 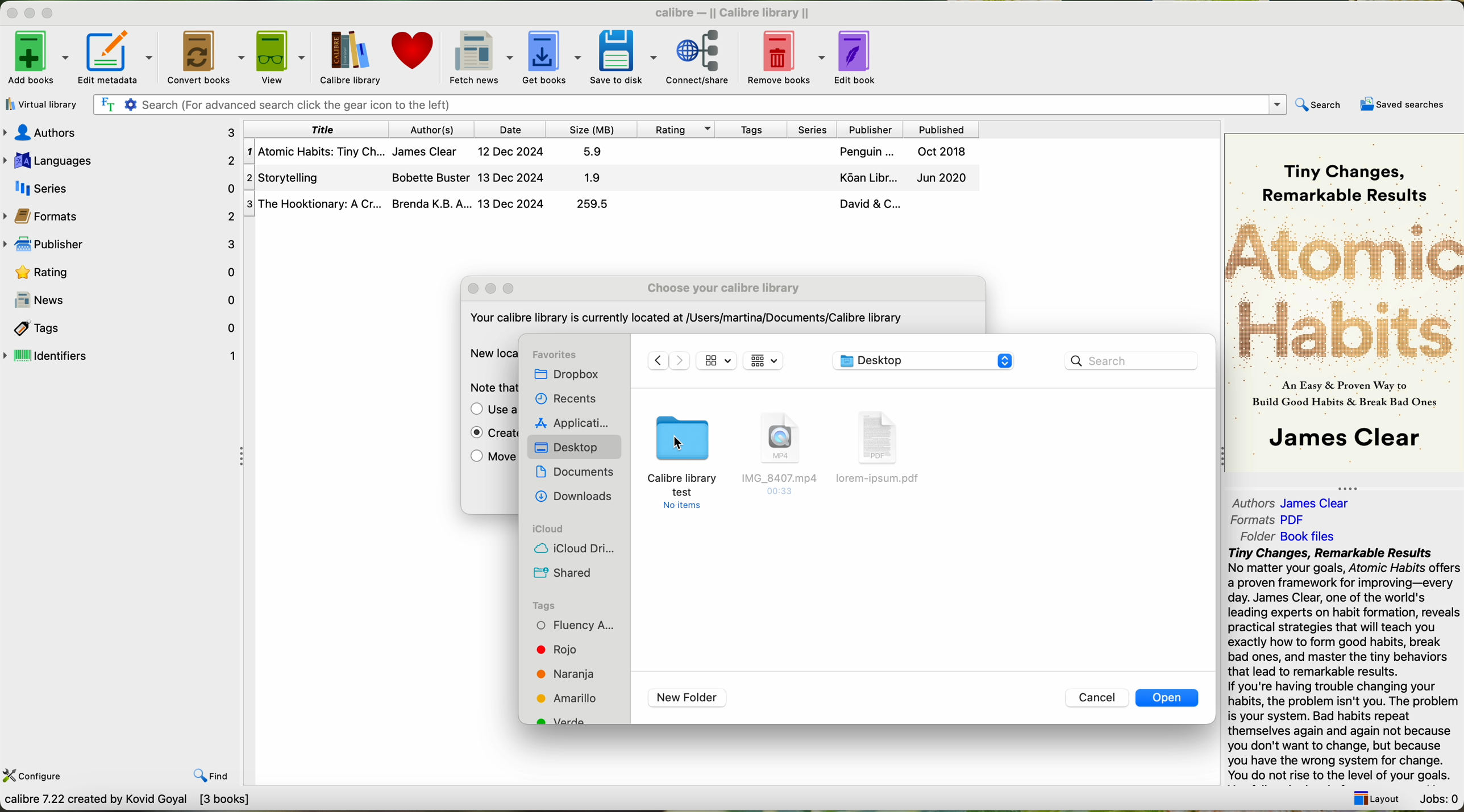 I want to click on dropbox, so click(x=573, y=375).